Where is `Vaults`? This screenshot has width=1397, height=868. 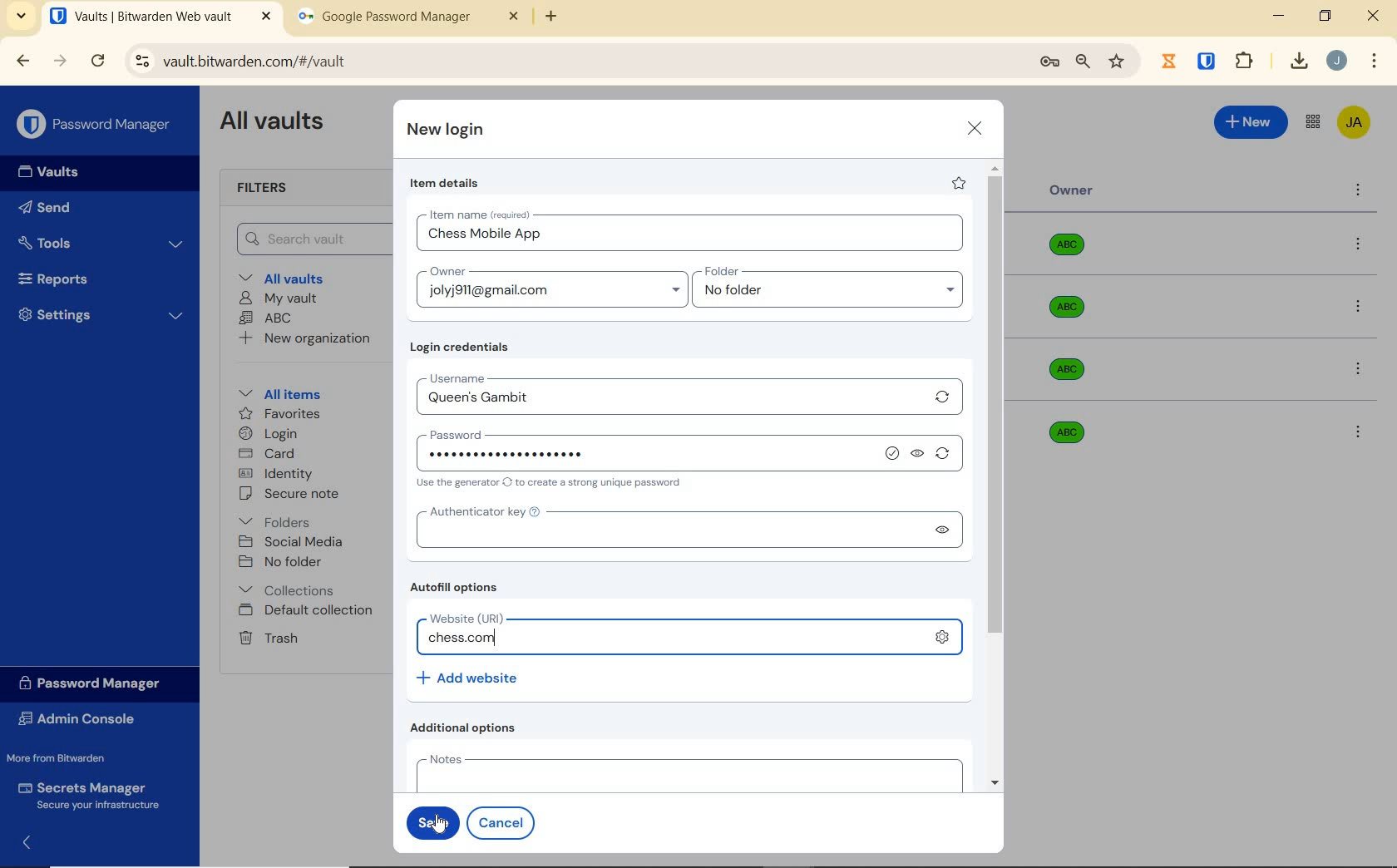
Vaults is located at coordinates (53, 172).